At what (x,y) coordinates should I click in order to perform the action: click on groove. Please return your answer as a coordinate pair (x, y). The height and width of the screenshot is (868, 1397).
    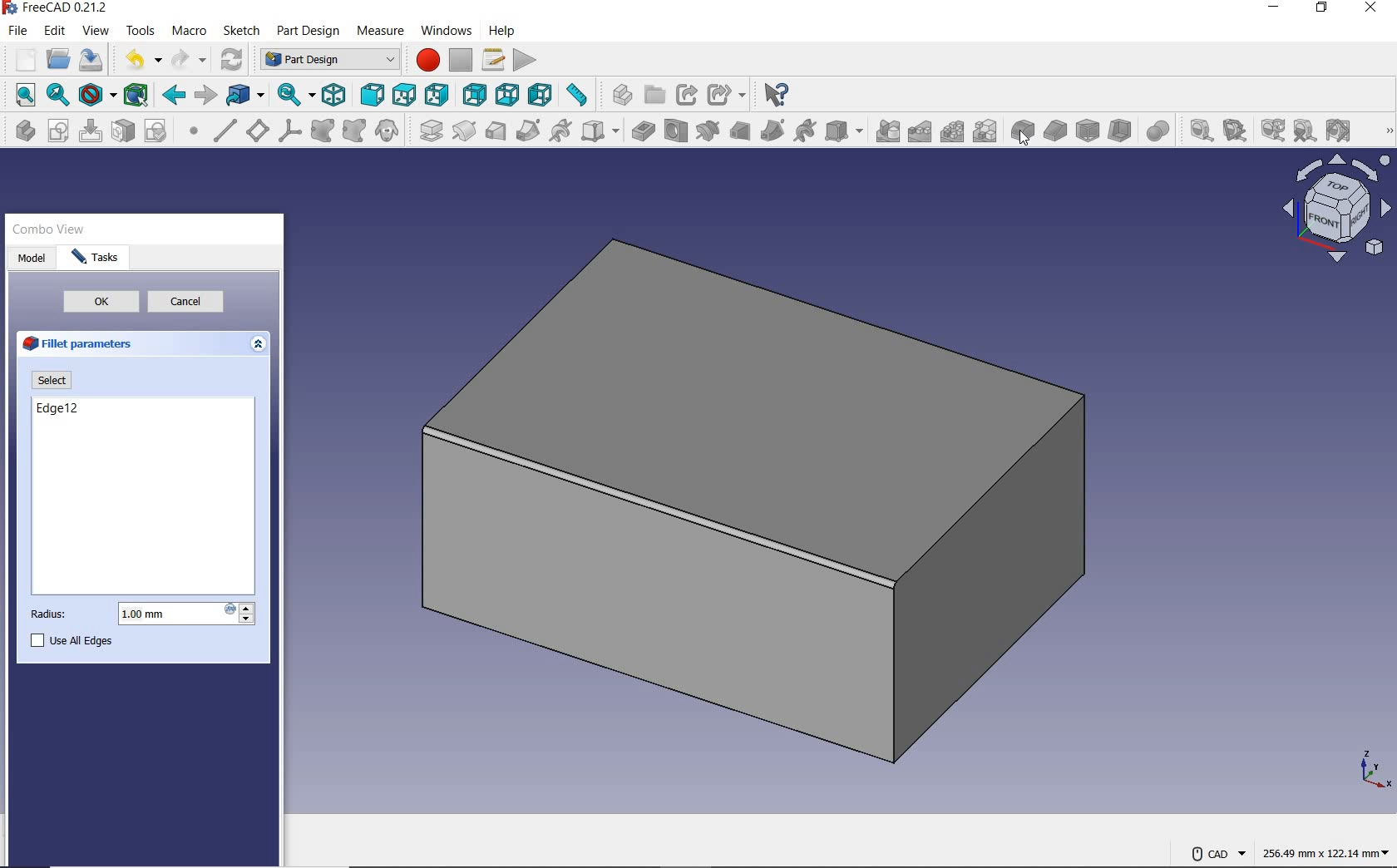
    Looking at the image, I should click on (707, 131).